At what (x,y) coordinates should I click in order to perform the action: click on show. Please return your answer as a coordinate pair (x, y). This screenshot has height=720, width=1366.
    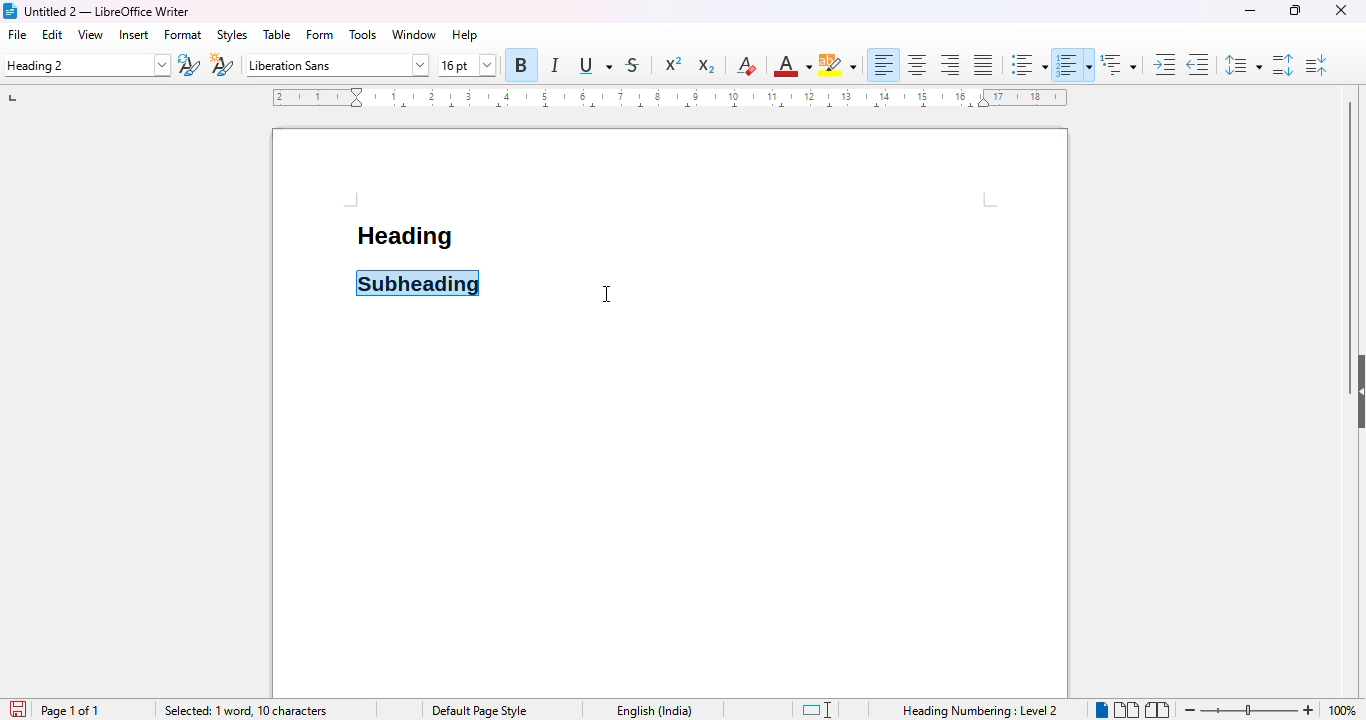
    Looking at the image, I should click on (1357, 391).